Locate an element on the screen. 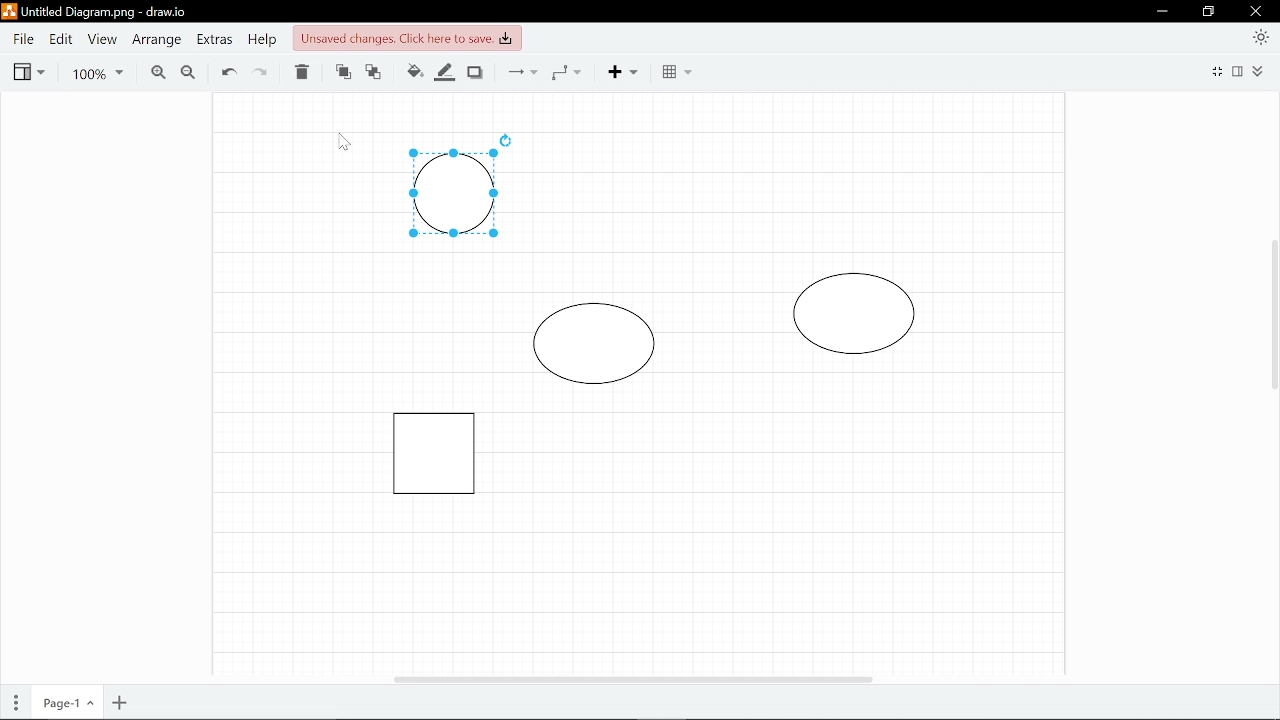 The height and width of the screenshot is (720, 1280). To front is located at coordinates (342, 73).